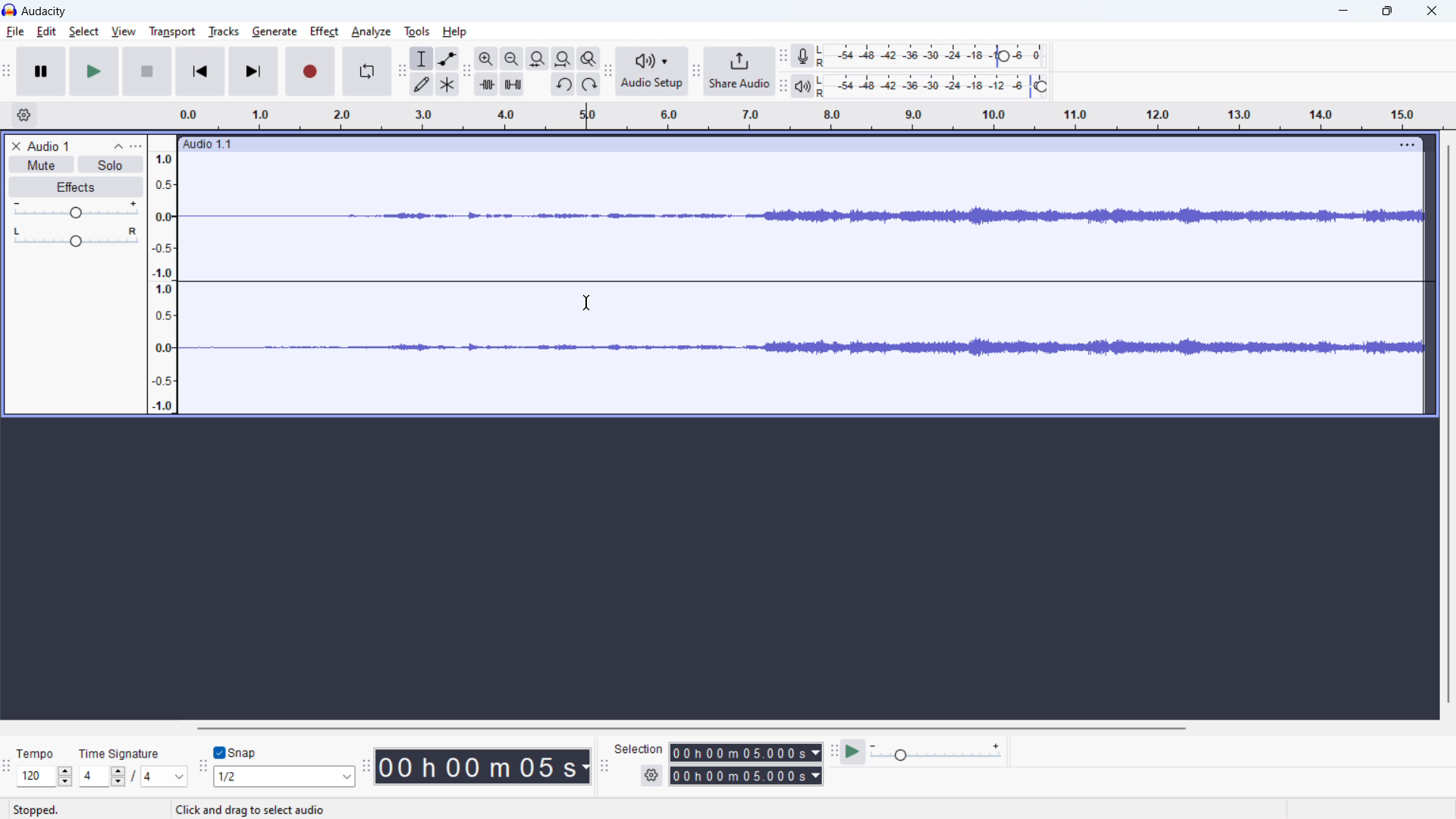 This screenshot has width=1456, height=819. I want to click on zoom out, so click(486, 58).